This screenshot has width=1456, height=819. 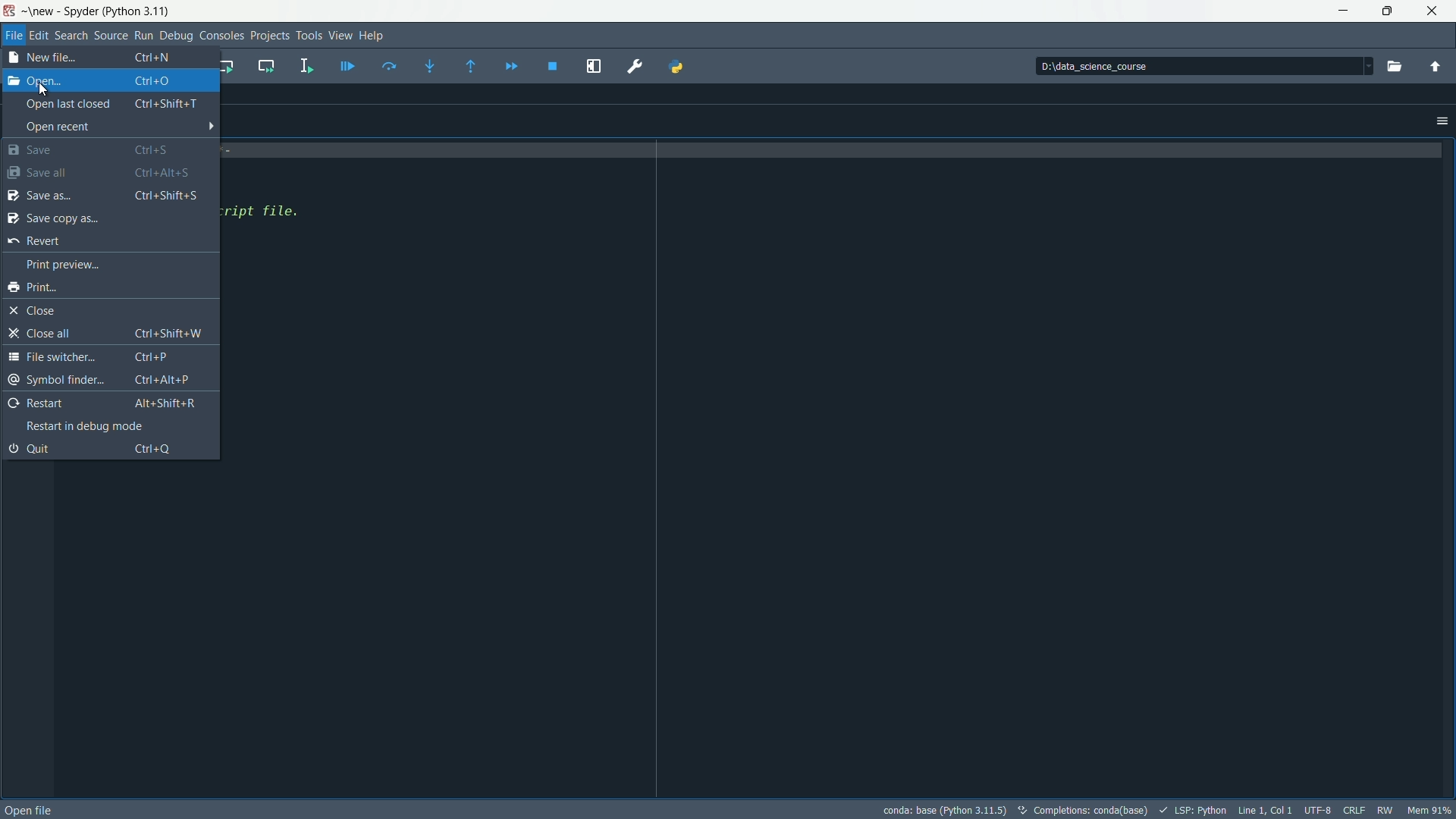 What do you see at coordinates (101, 80) in the screenshot?
I see `open` at bounding box center [101, 80].